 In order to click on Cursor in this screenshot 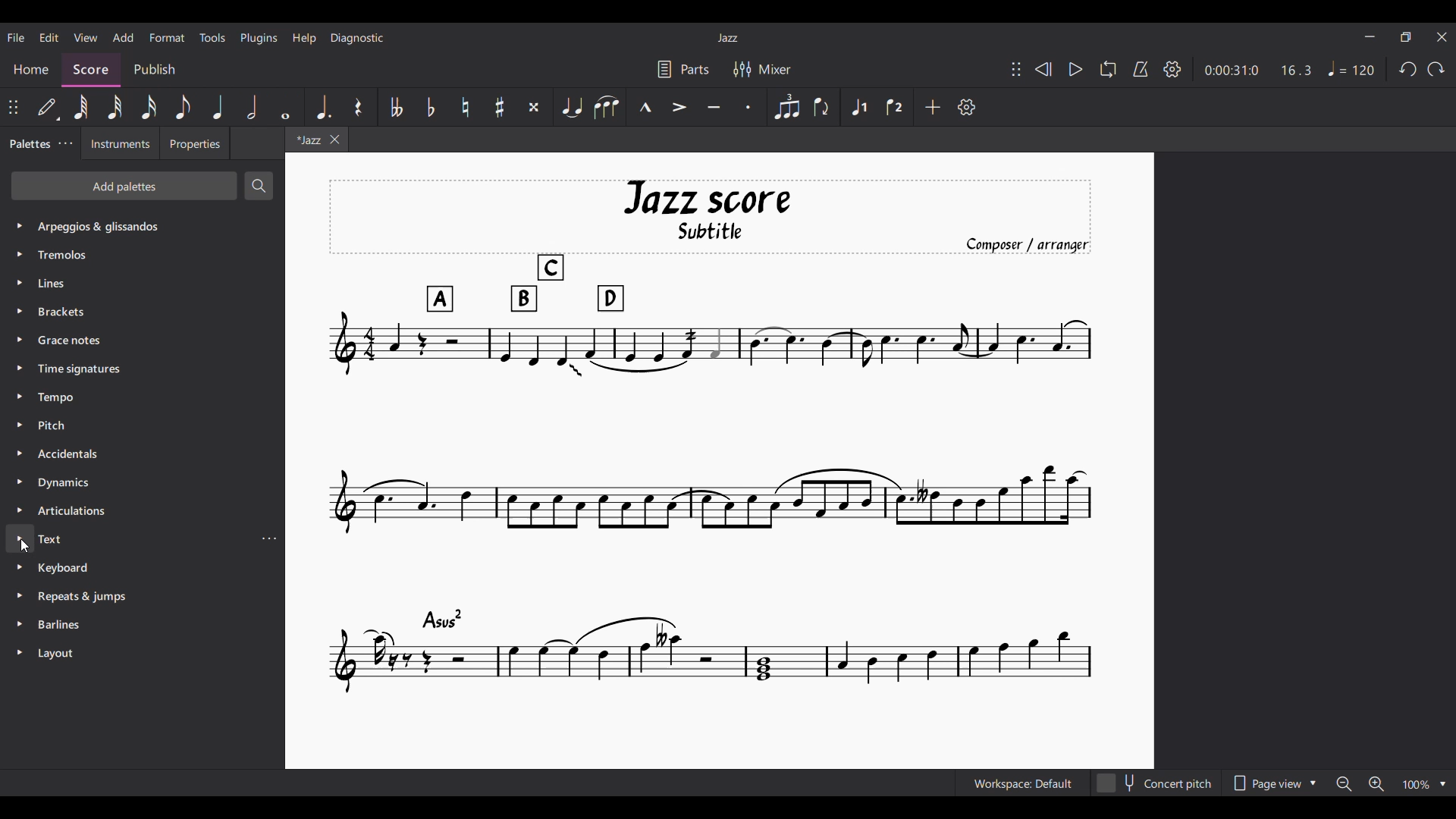, I will do `click(27, 549)`.